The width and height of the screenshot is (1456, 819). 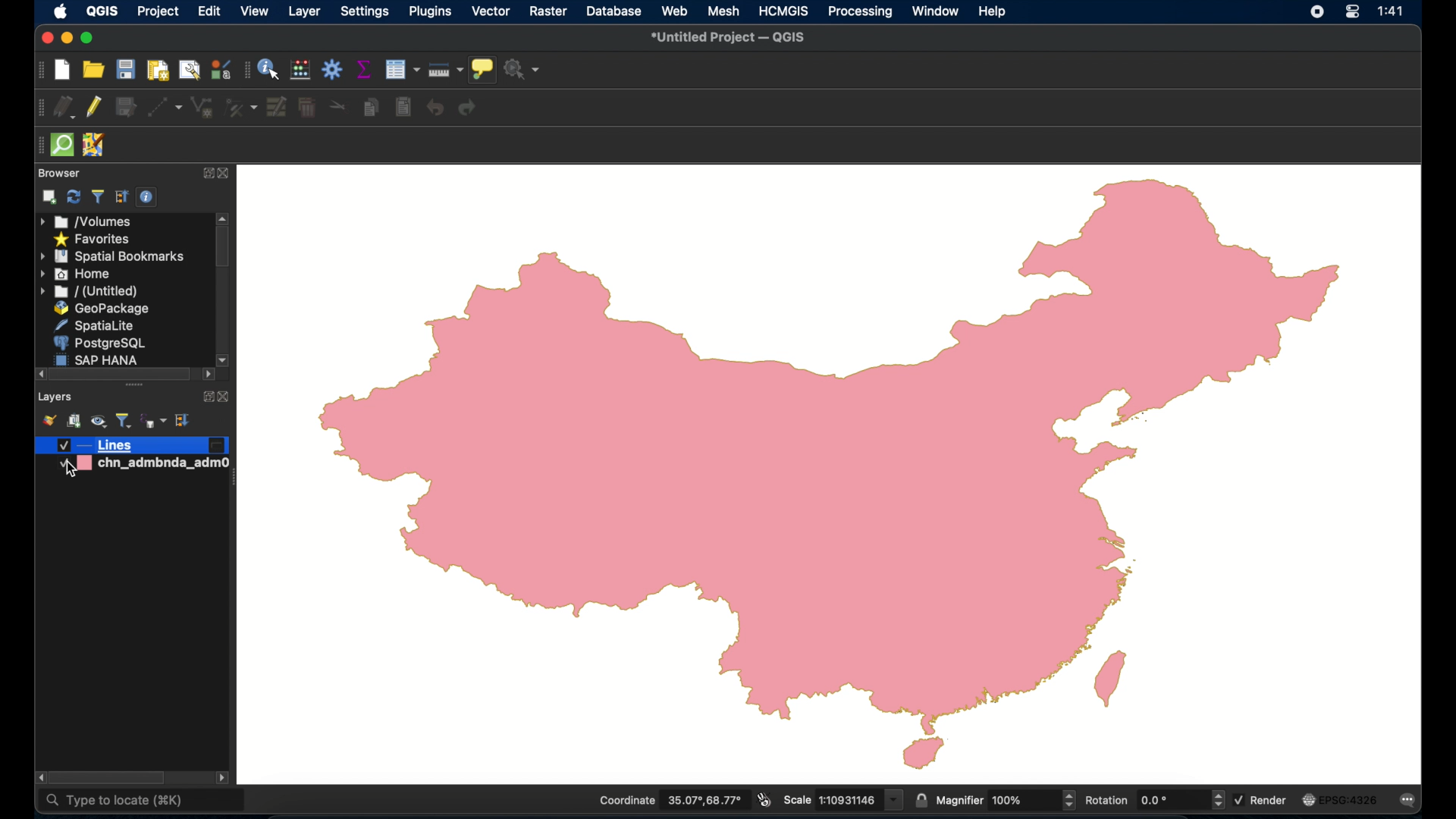 I want to click on current edits, so click(x=65, y=107).